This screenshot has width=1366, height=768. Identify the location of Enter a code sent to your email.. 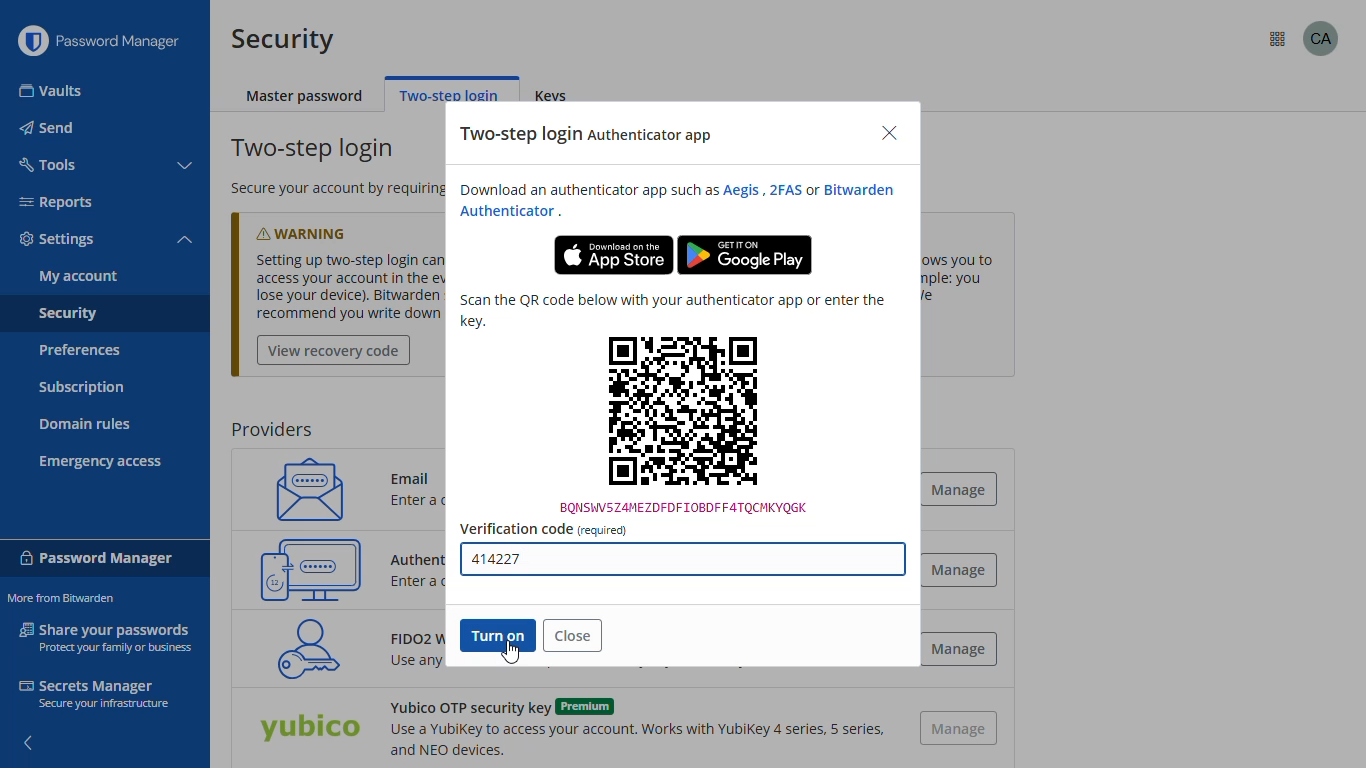
(440, 504).